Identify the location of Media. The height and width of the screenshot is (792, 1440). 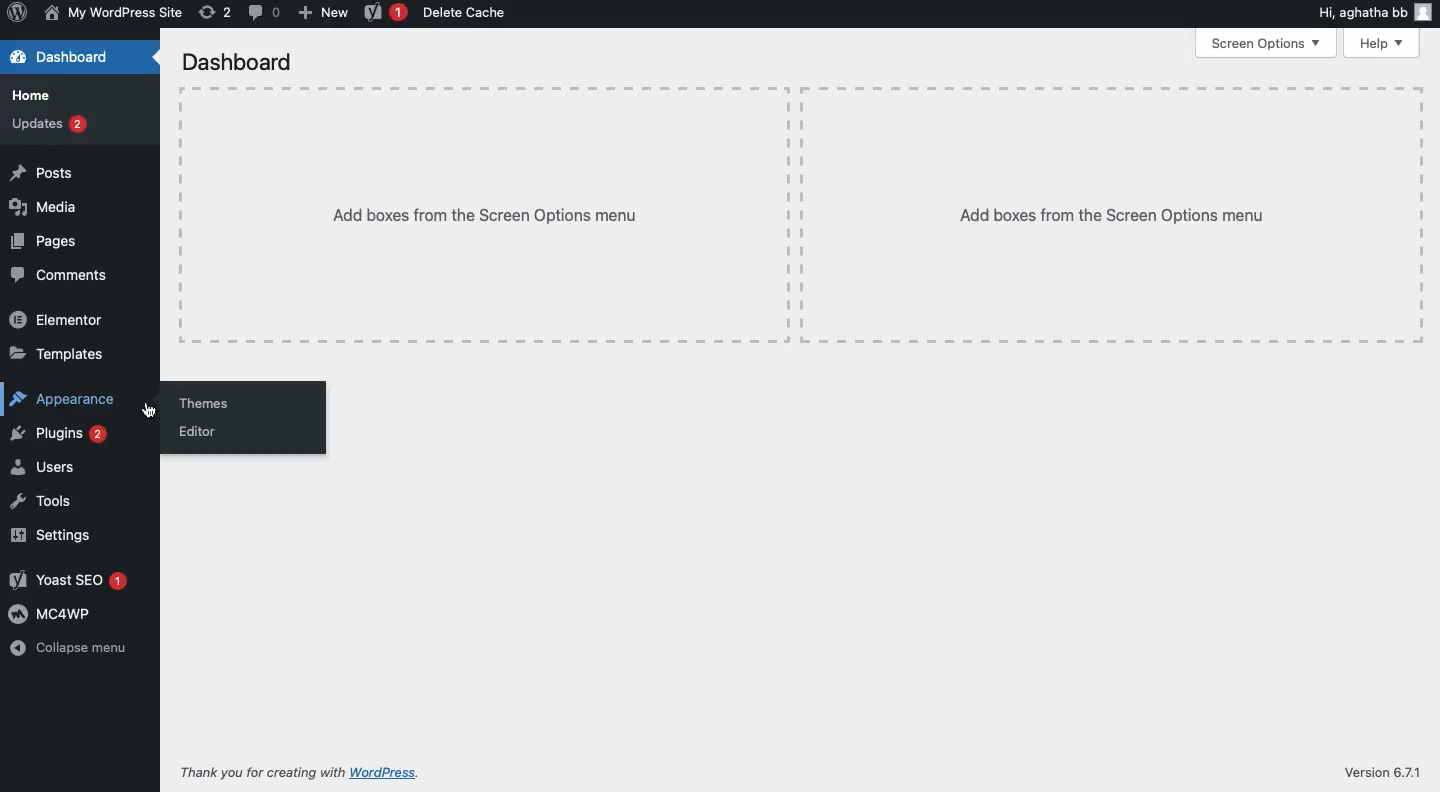
(49, 208).